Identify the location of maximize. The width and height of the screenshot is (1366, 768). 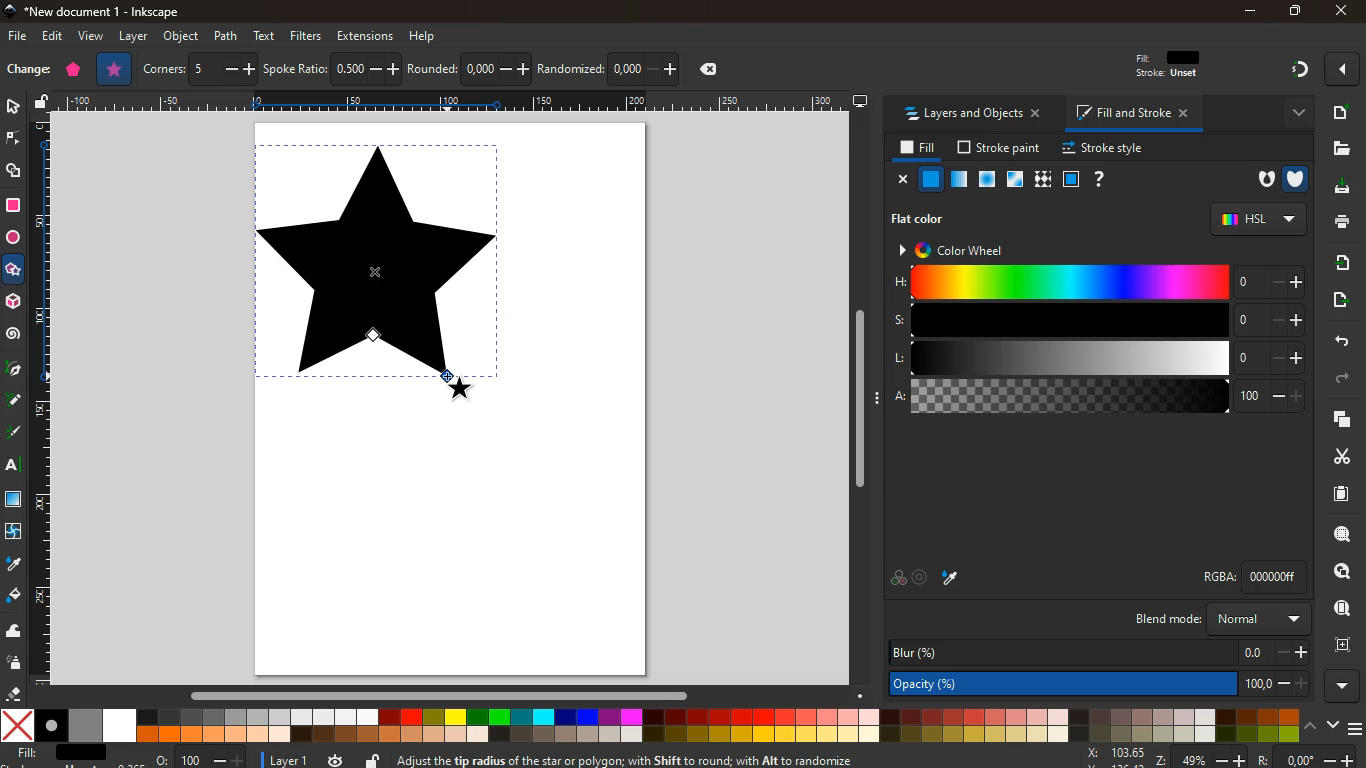
(1293, 9).